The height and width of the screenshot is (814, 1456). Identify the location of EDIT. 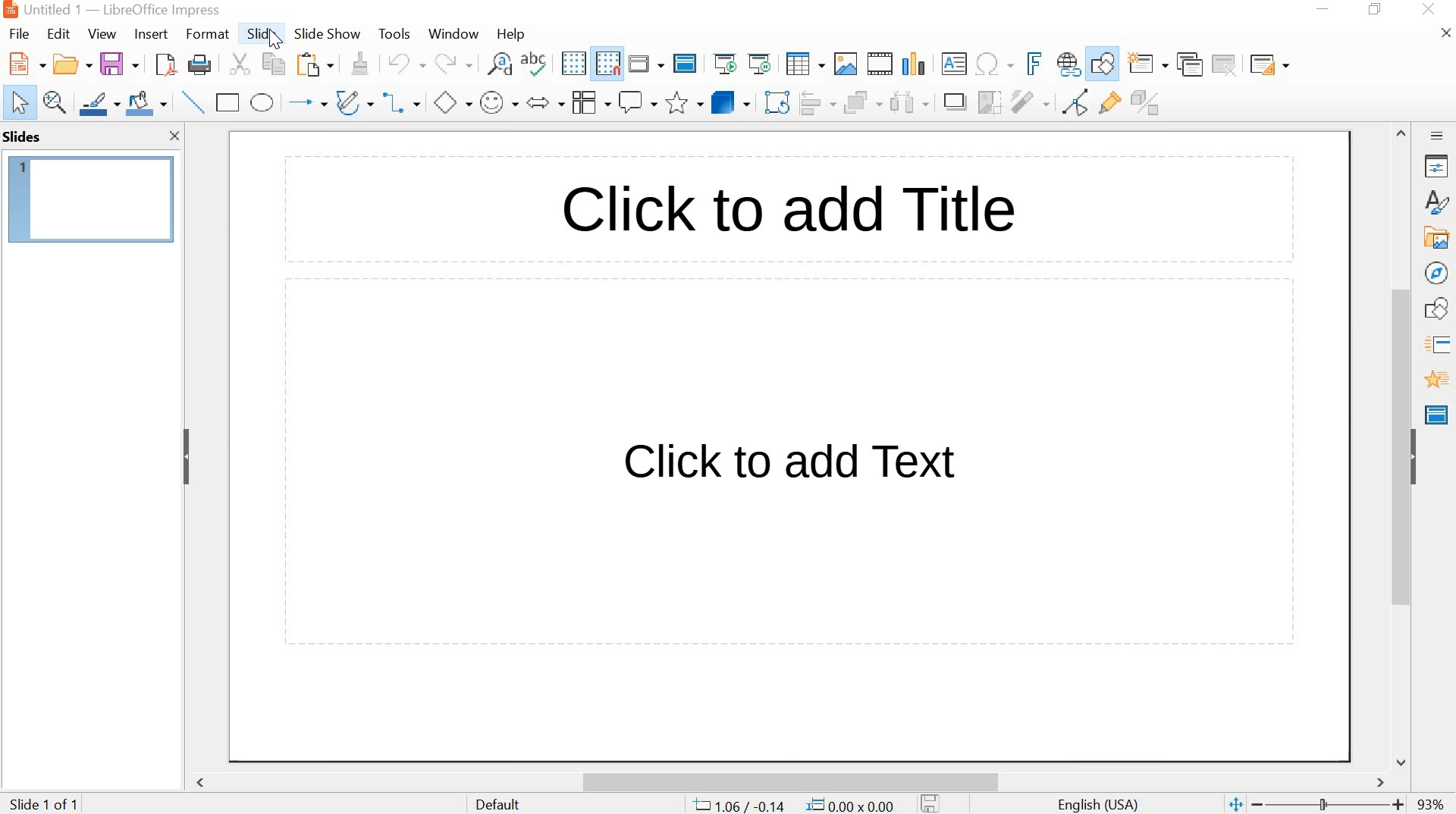
(59, 33).